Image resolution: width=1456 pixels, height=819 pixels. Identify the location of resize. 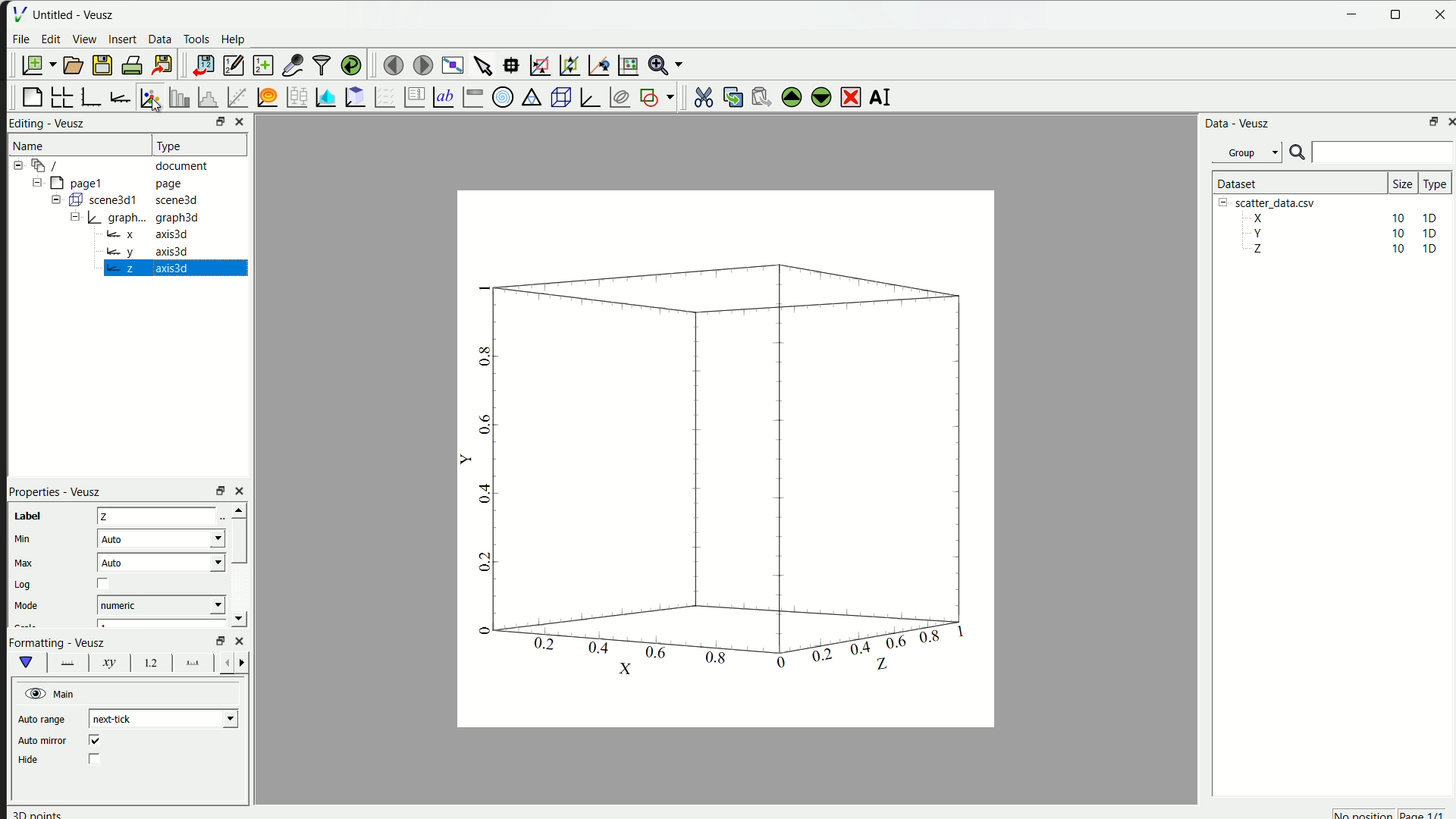
(1397, 14).